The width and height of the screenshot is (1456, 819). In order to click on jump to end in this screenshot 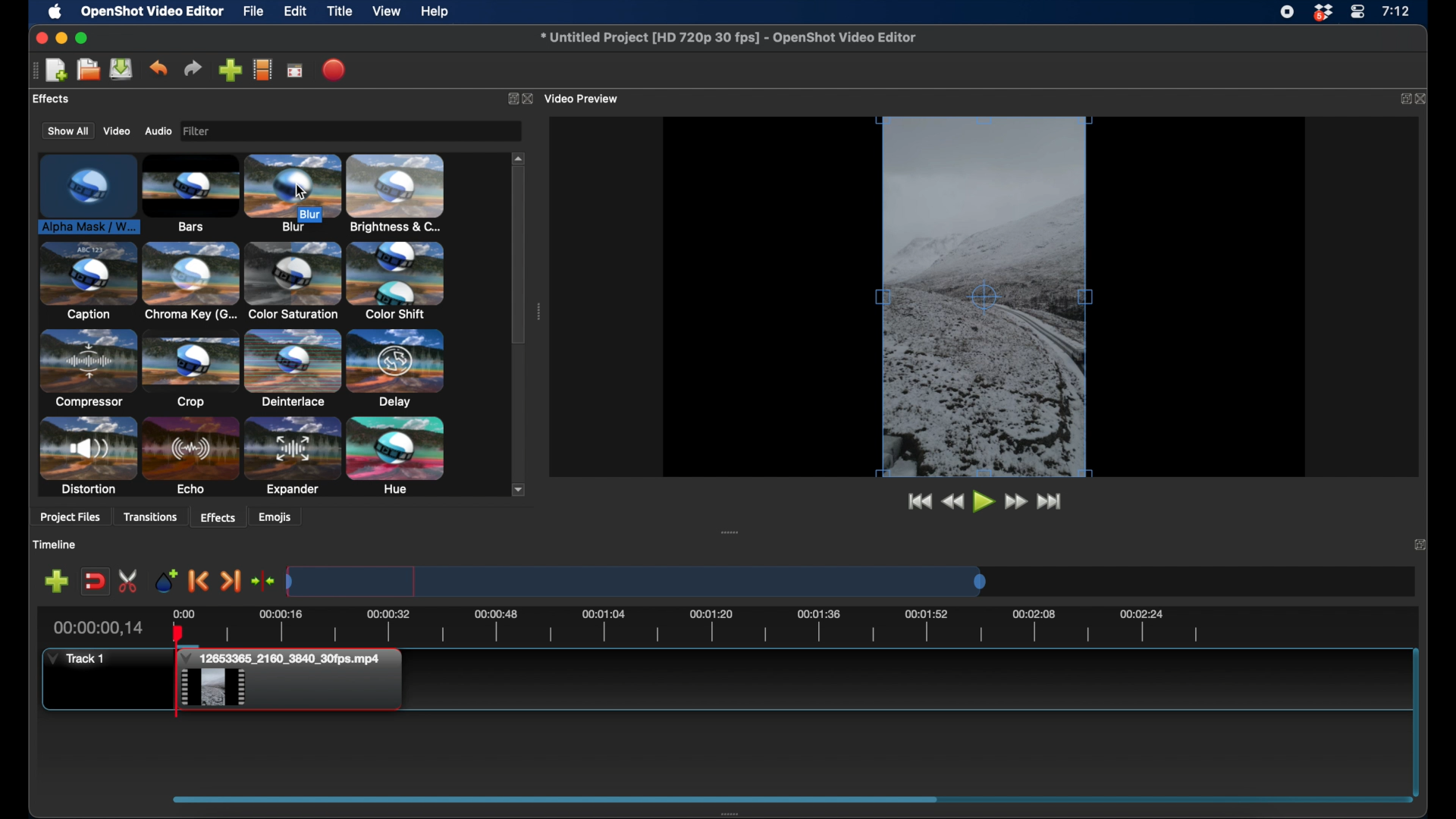, I will do `click(1052, 502)`.